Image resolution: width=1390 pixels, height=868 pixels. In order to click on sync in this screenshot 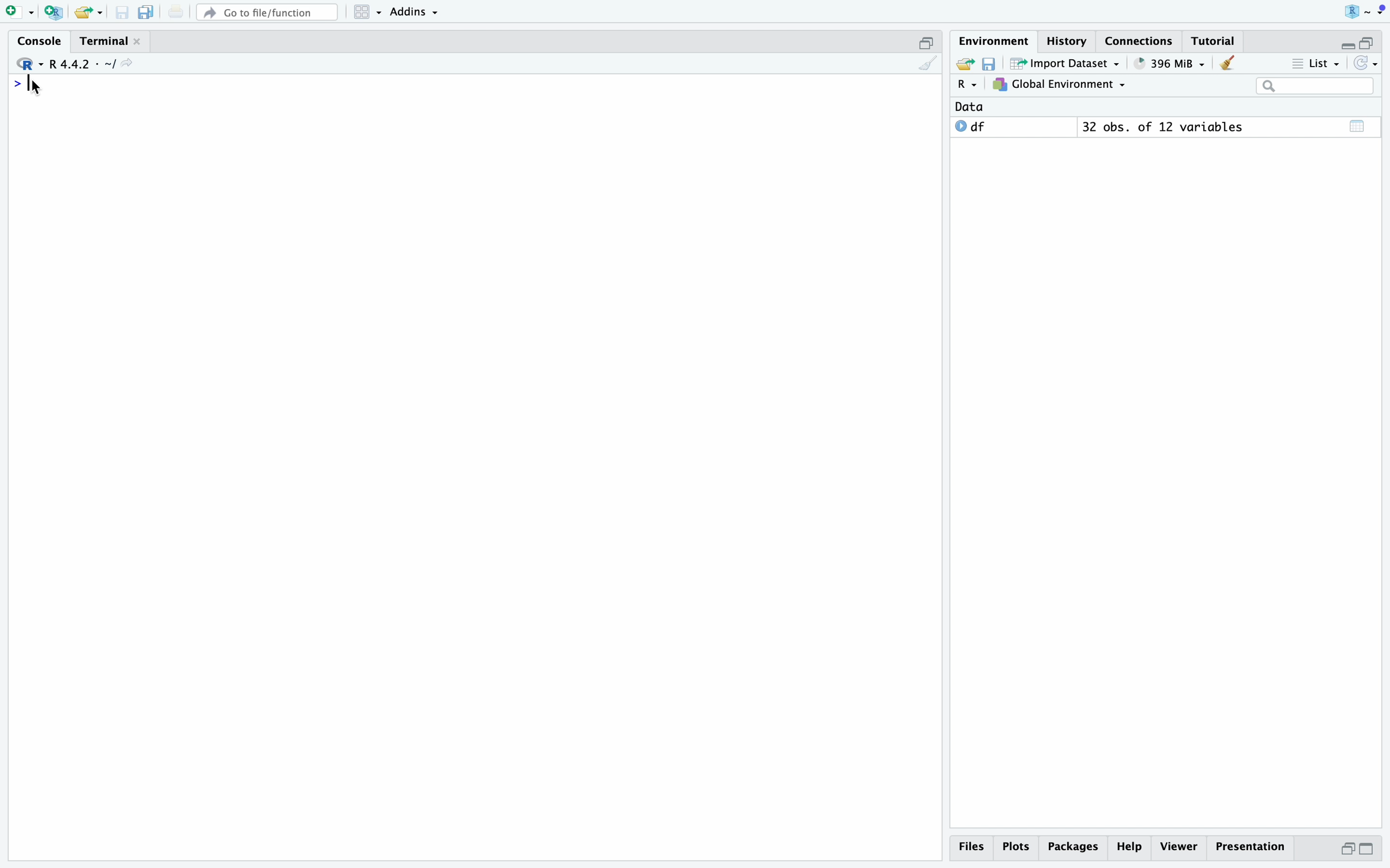, I will do `click(1367, 62)`.